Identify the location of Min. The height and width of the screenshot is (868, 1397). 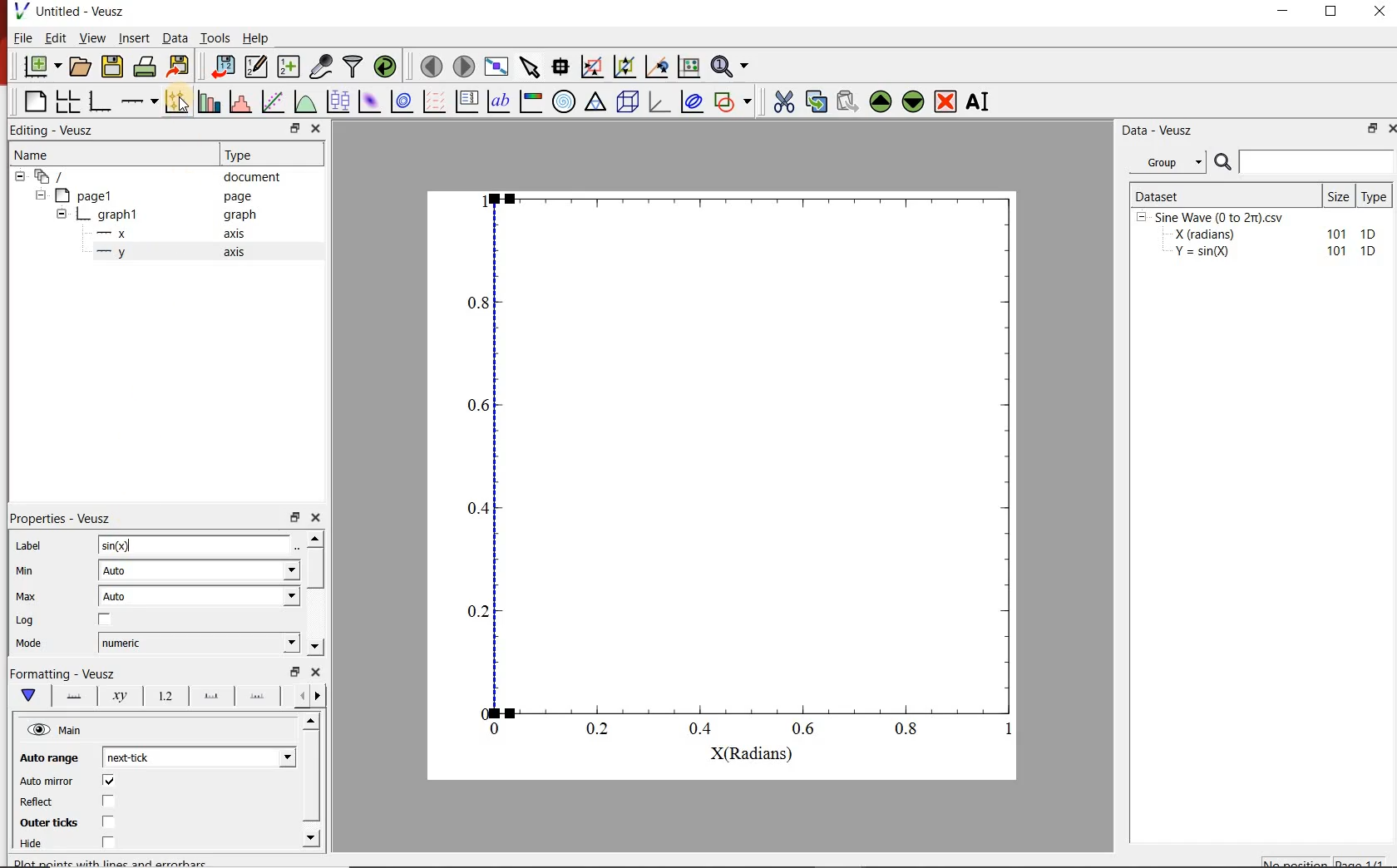
(26, 570).